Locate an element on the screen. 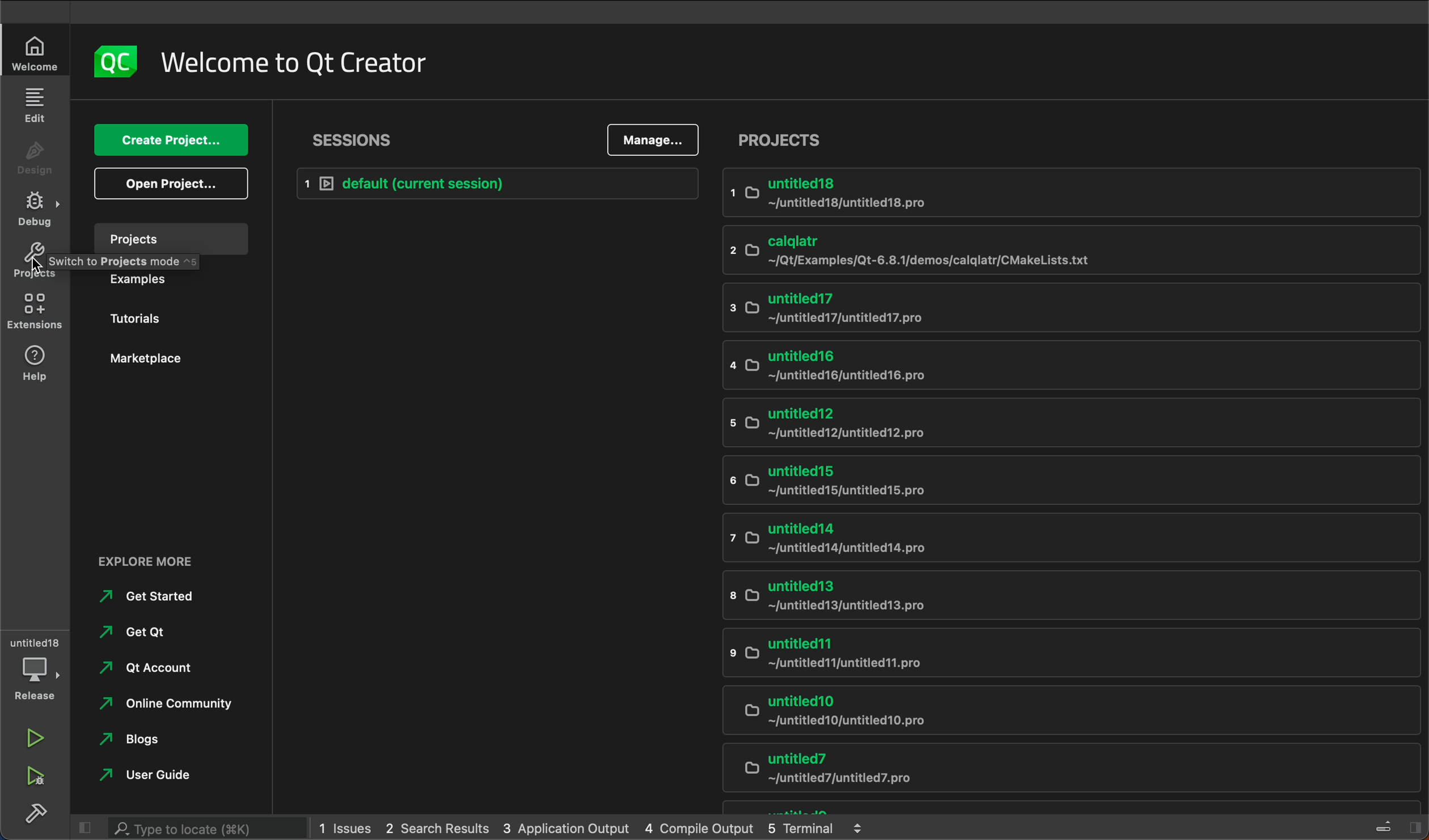 The image size is (1429, 840). projects is located at coordinates (170, 237).